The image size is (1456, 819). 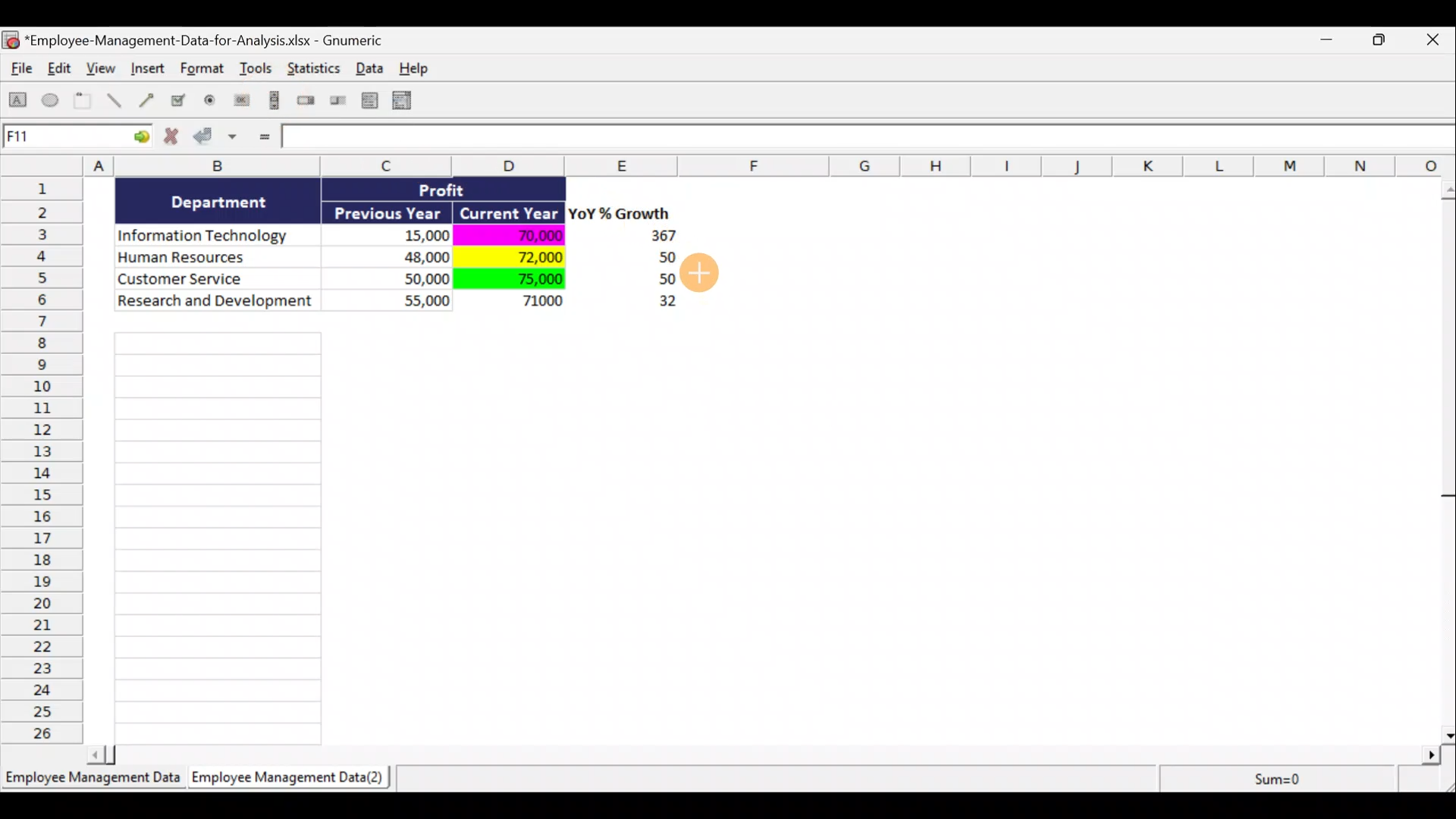 What do you see at coordinates (258, 71) in the screenshot?
I see `Tools` at bounding box center [258, 71].